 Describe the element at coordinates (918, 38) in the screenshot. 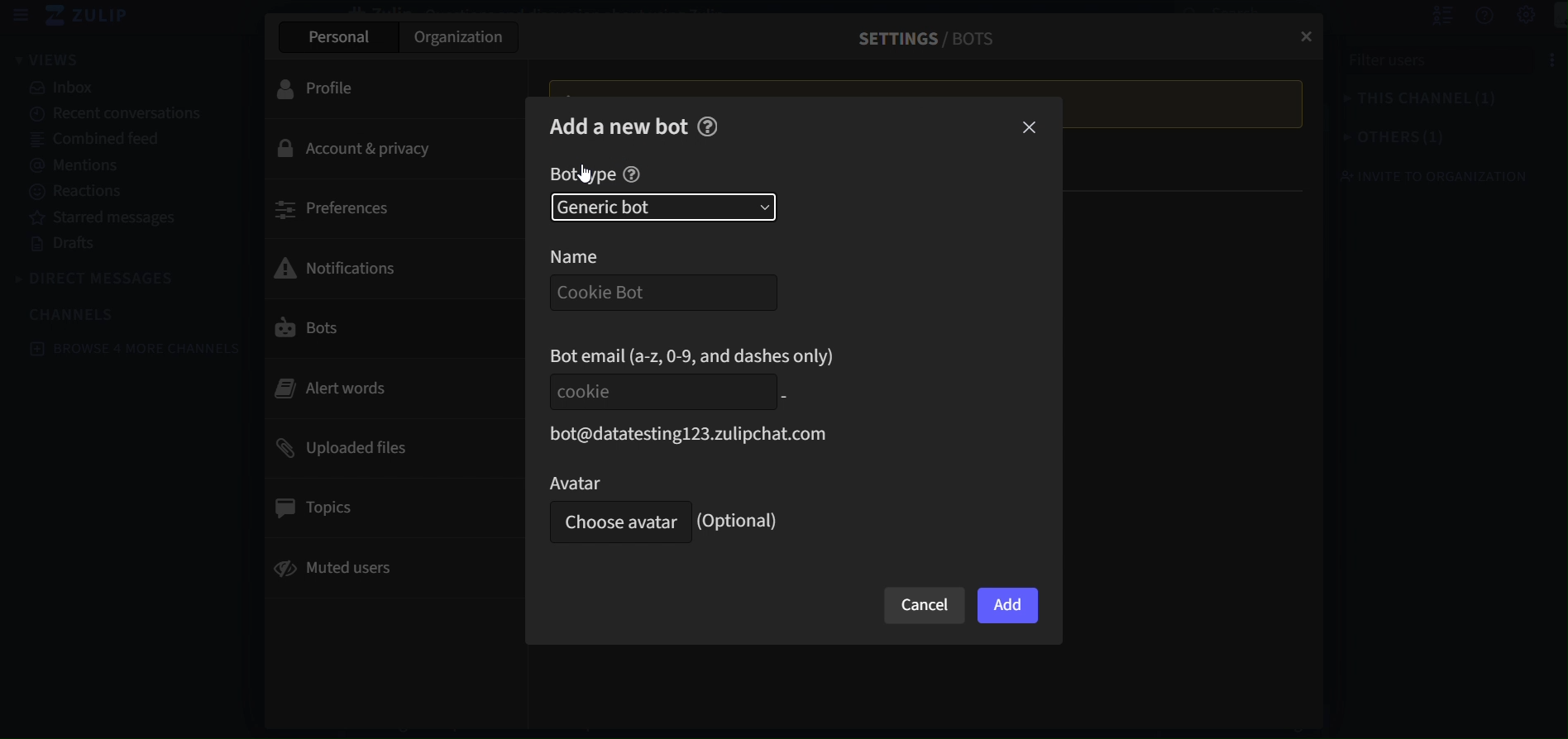

I see `settings/Bots` at that location.